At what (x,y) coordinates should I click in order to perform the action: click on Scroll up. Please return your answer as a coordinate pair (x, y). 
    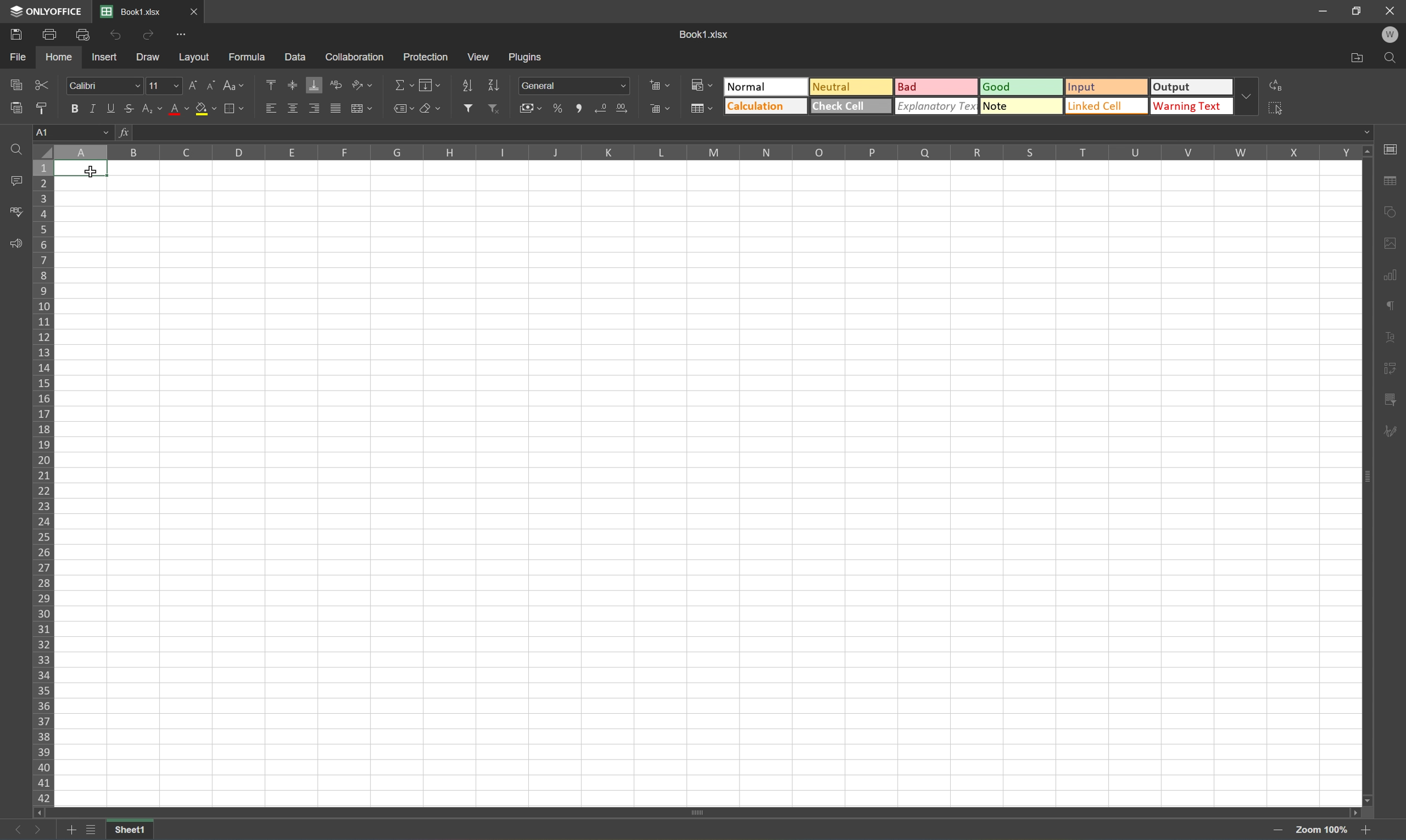
    Looking at the image, I should click on (1367, 152).